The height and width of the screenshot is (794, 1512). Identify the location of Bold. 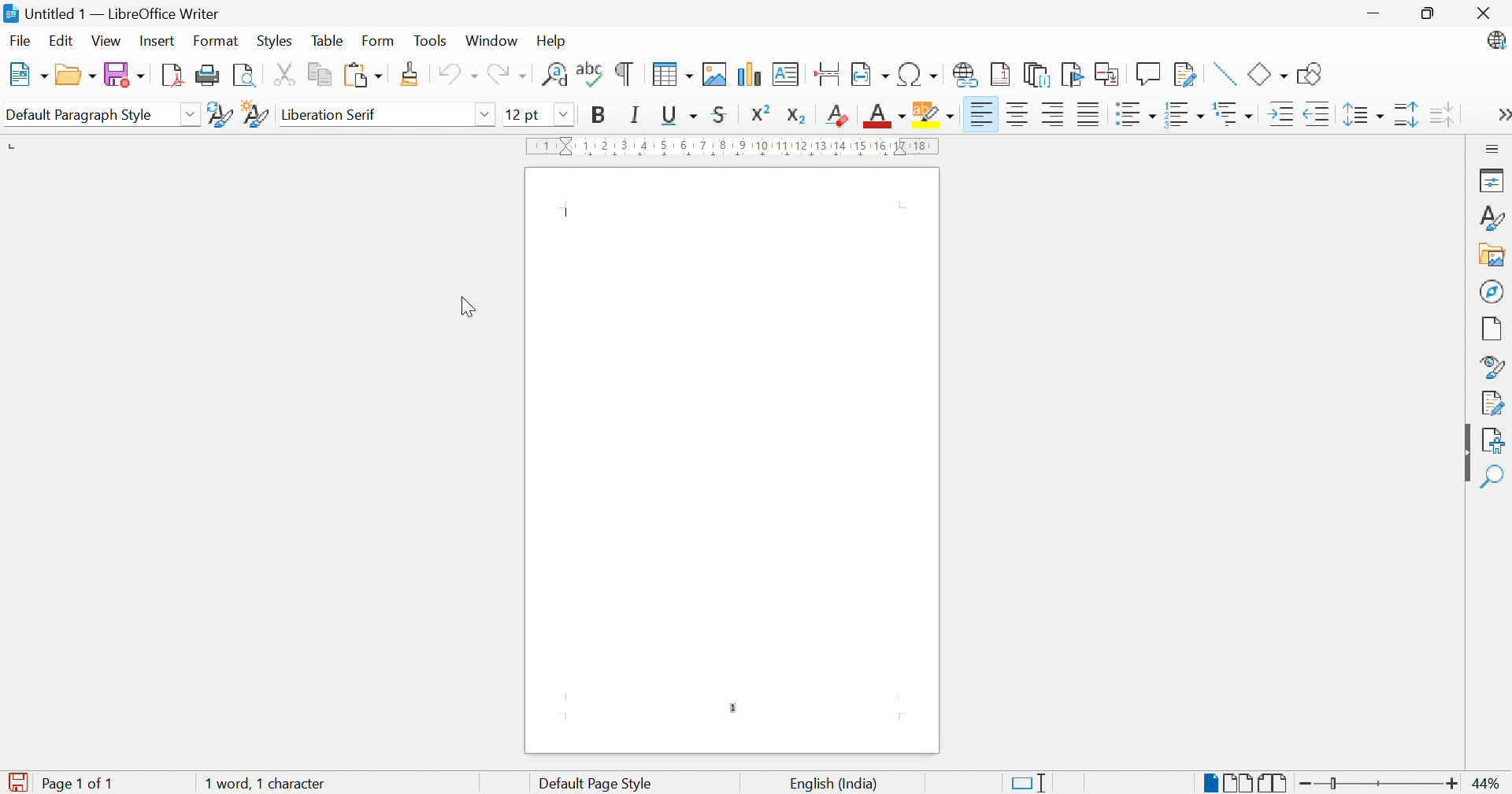
(601, 116).